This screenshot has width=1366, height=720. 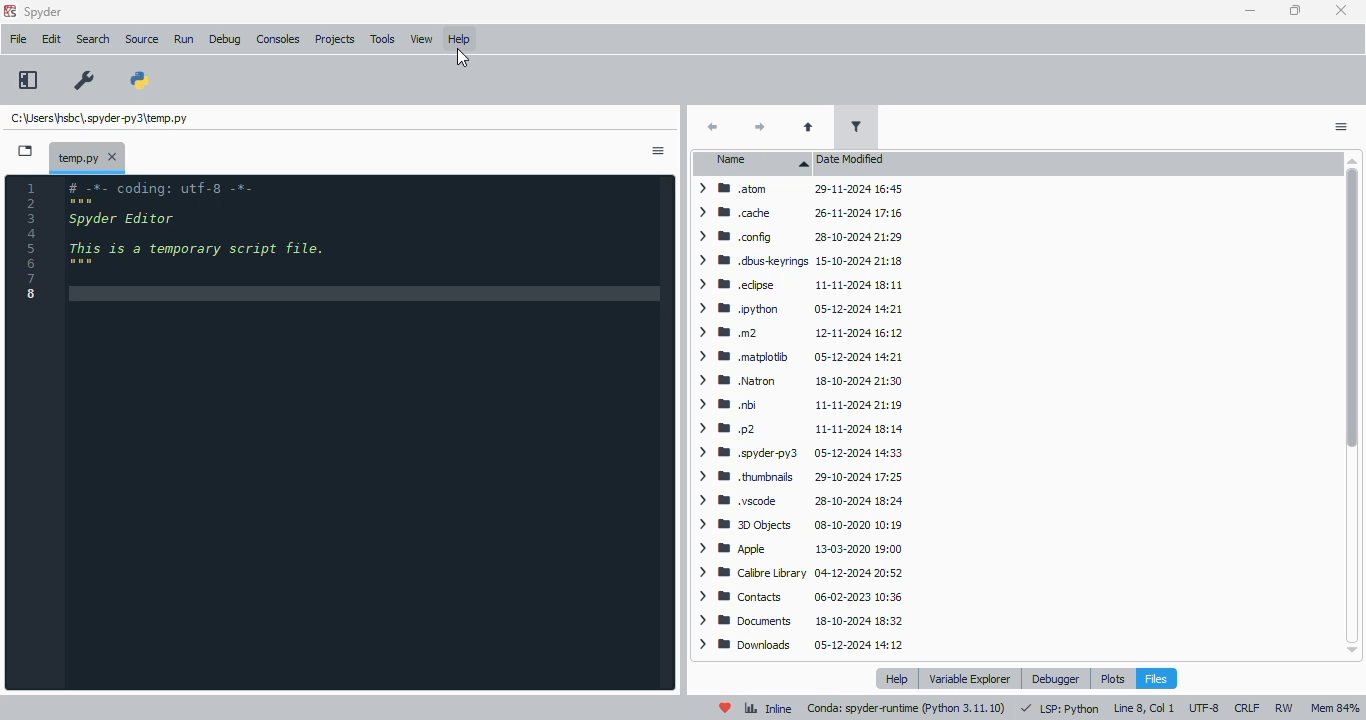 I want to click on > WB Calibre Library 04-12-2024 20:52, so click(x=799, y=573).